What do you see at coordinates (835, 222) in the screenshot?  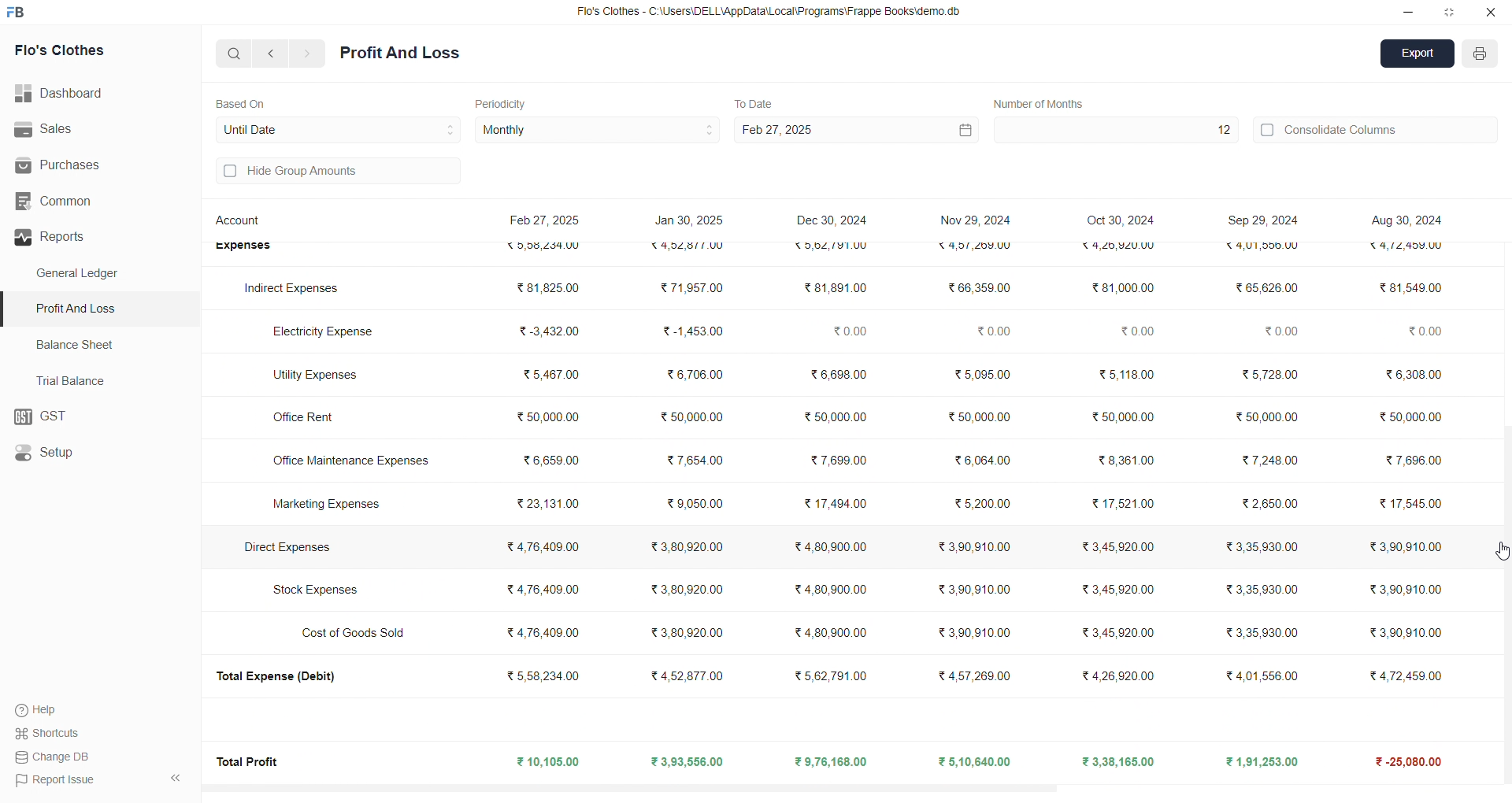 I see `Dec 30, 2024` at bounding box center [835, 222].